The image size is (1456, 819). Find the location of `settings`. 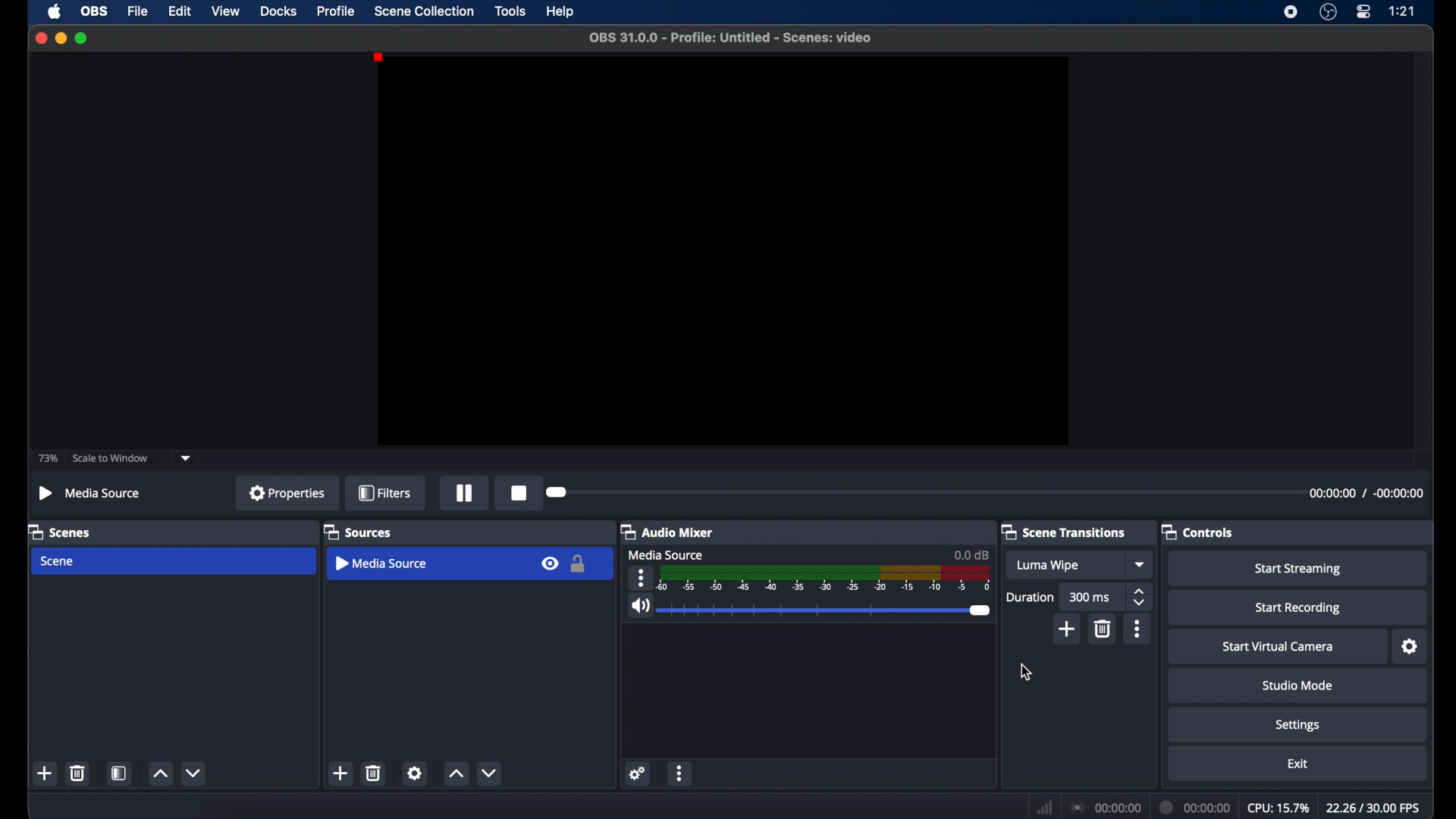

settings is located at coordinates (1410, 647).